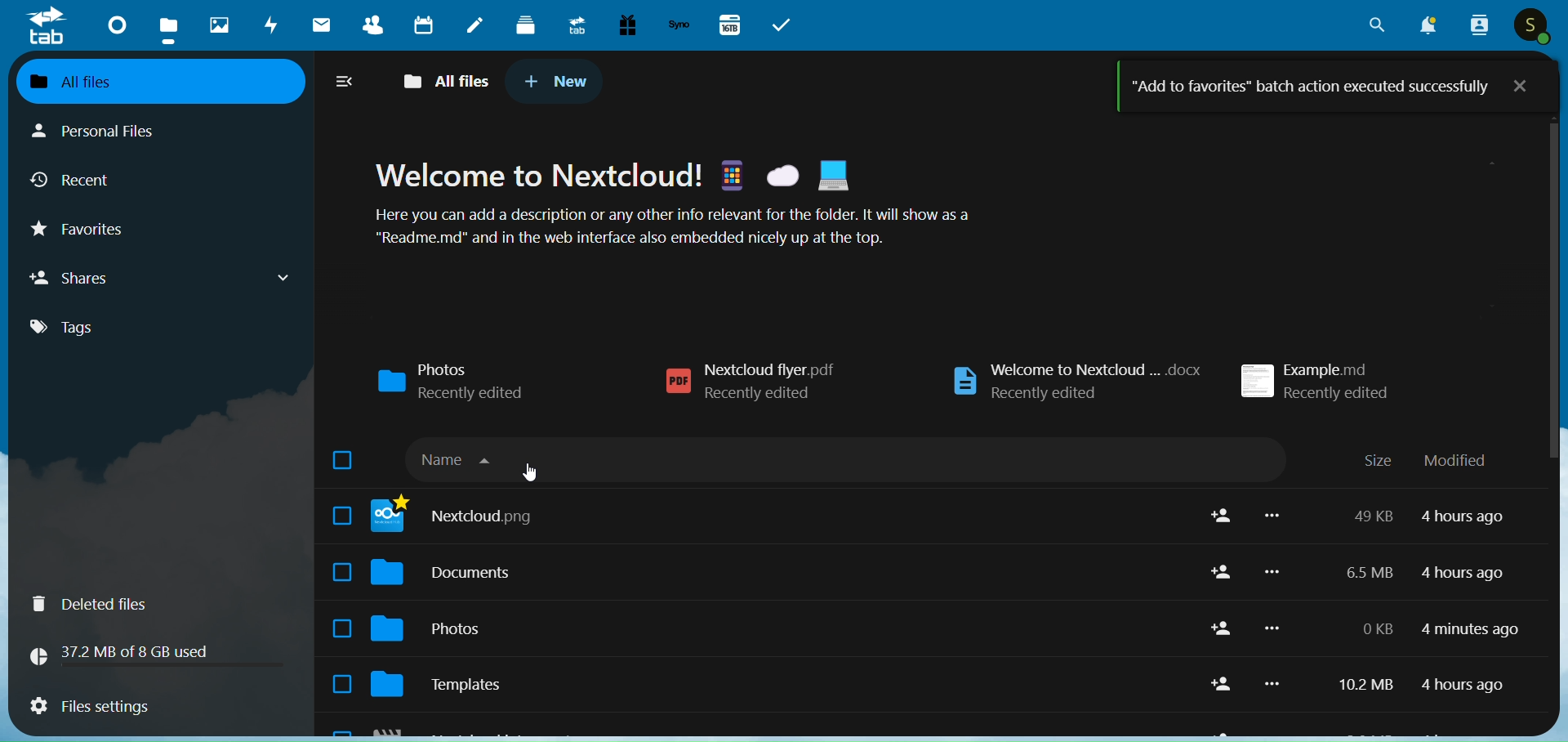  Describe the element at coordinates (322, 25) in the screenshot. I see `mail` at that location.